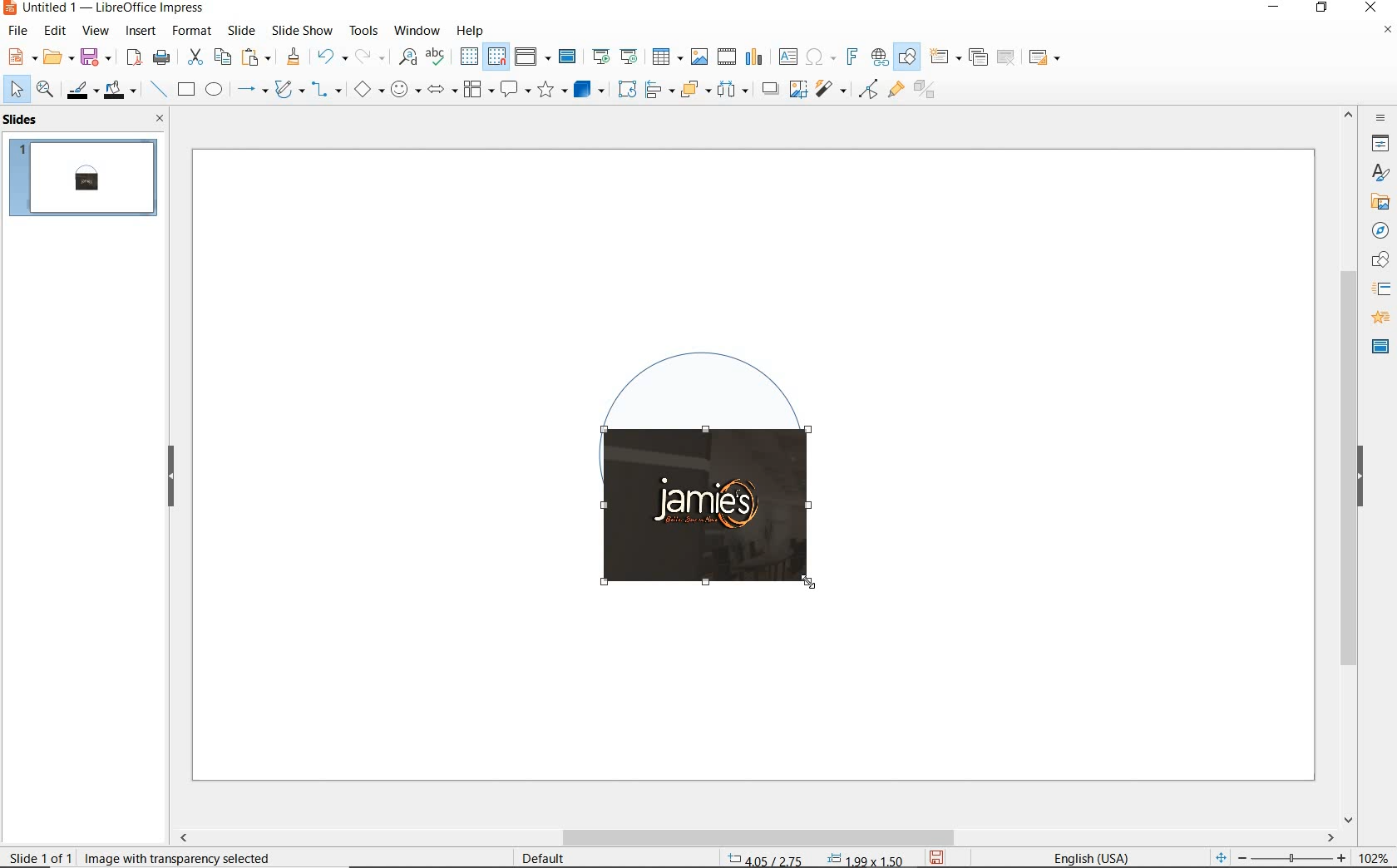 The width and height of the screenshot is (1397, 868). Describe the element at coordinates (86, 180) in the screenshot. I see `slide 1` at that location.